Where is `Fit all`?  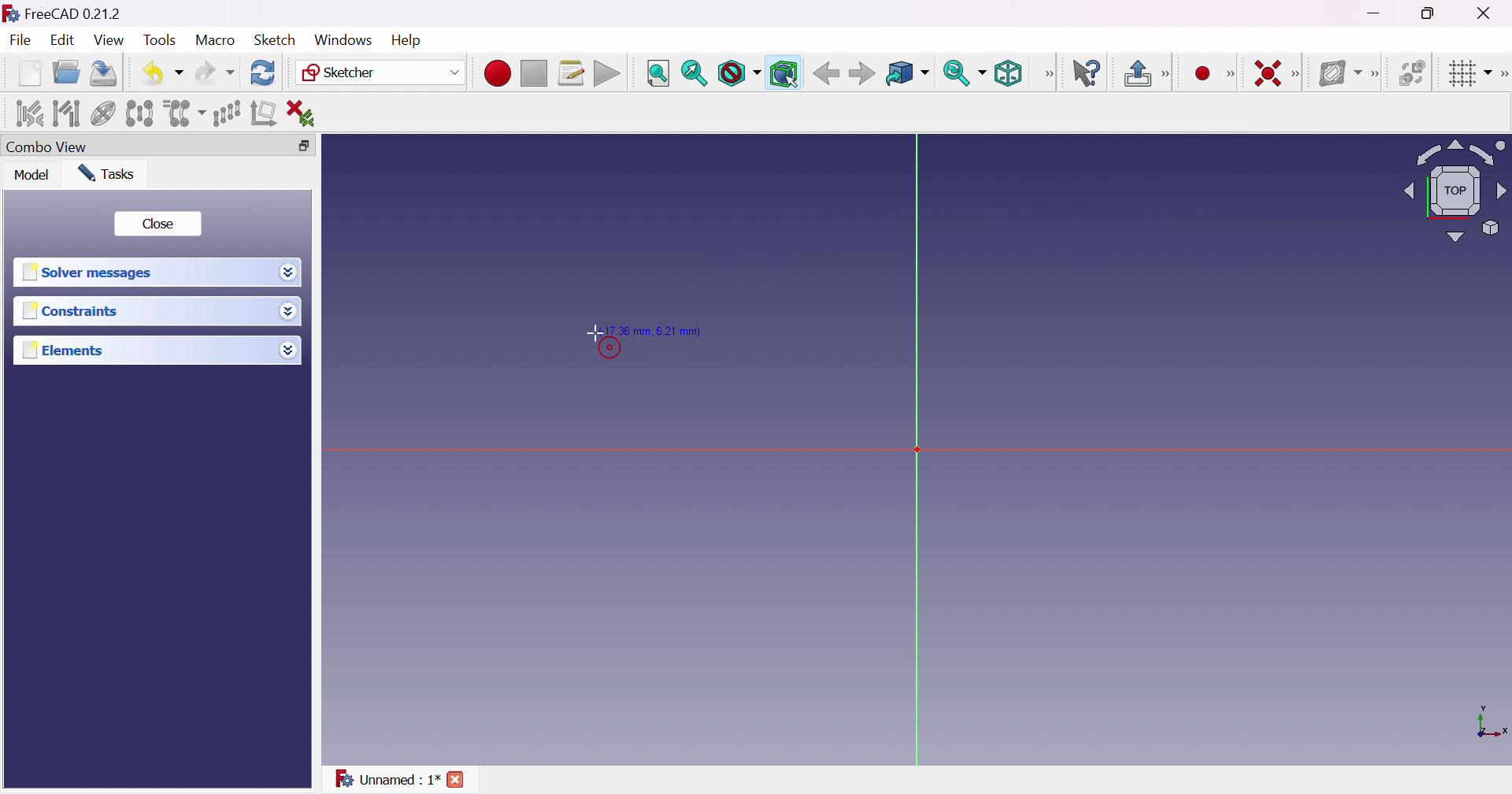
Fit all is located at coordinates (657, 72).